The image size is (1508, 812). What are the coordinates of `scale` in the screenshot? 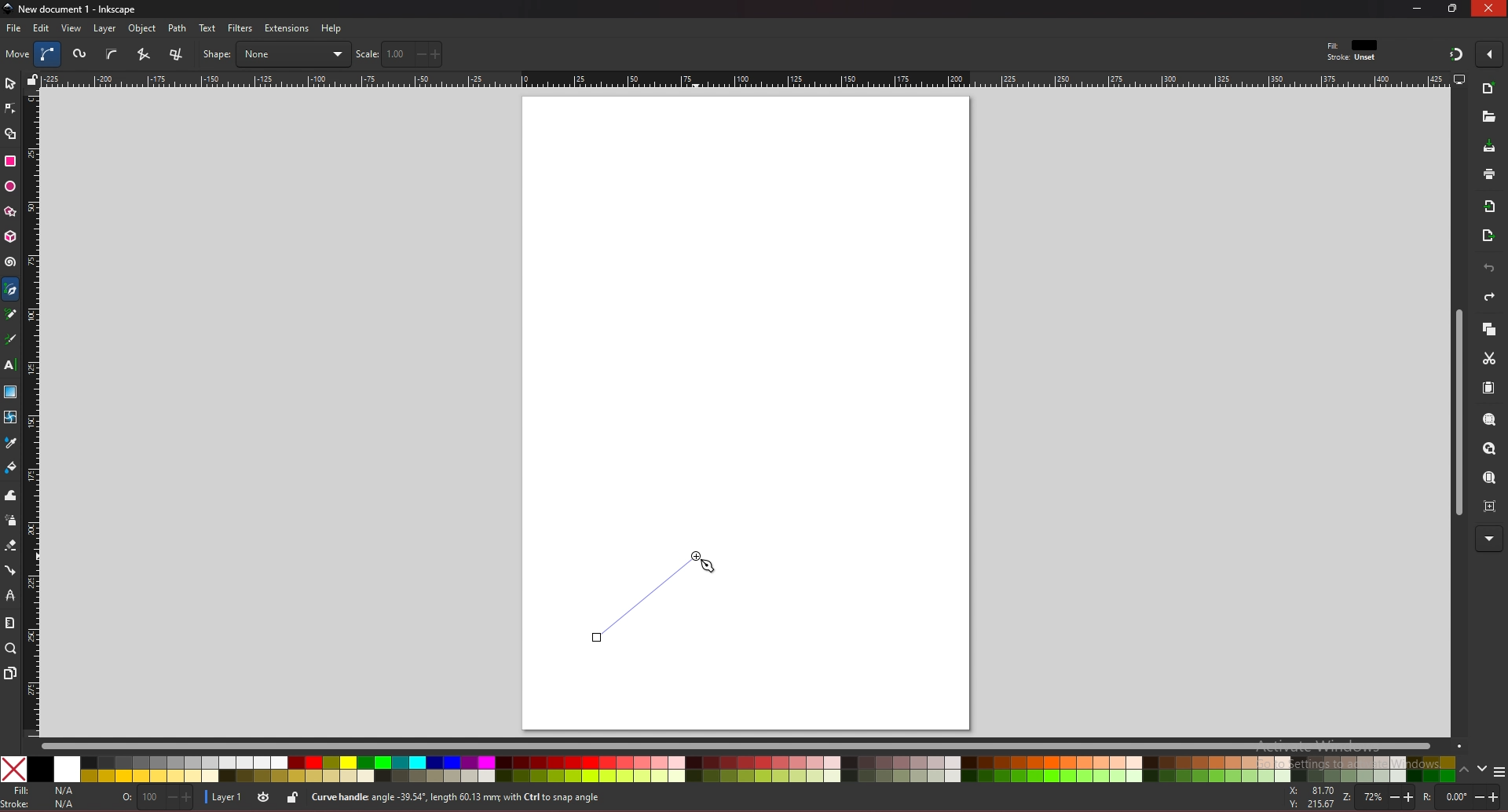 It's located at (399, 53).